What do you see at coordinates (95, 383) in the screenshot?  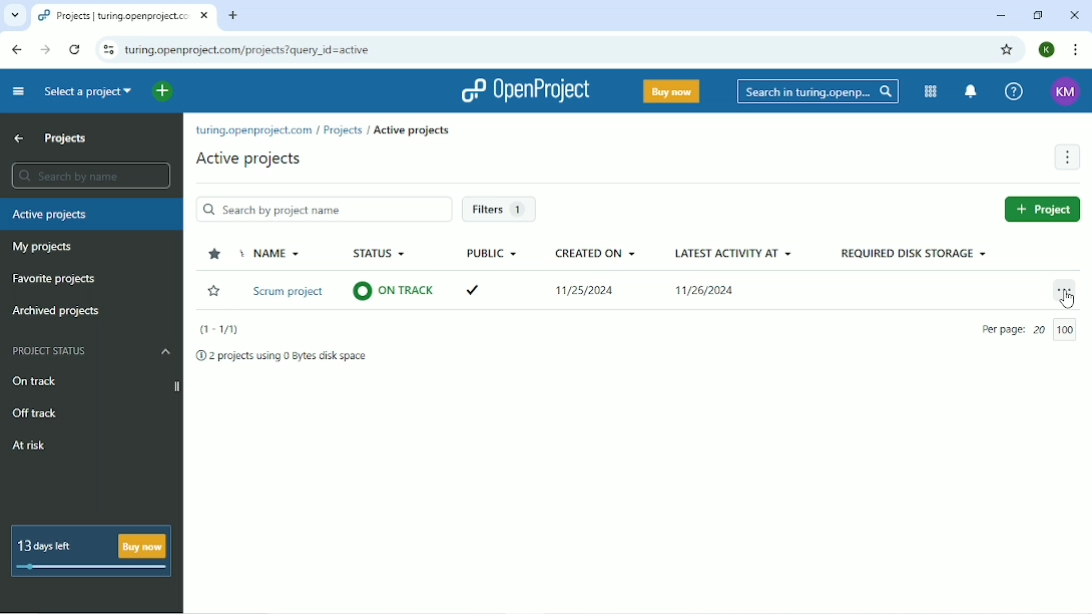 I see `On track` at bounding box center [95, 383].